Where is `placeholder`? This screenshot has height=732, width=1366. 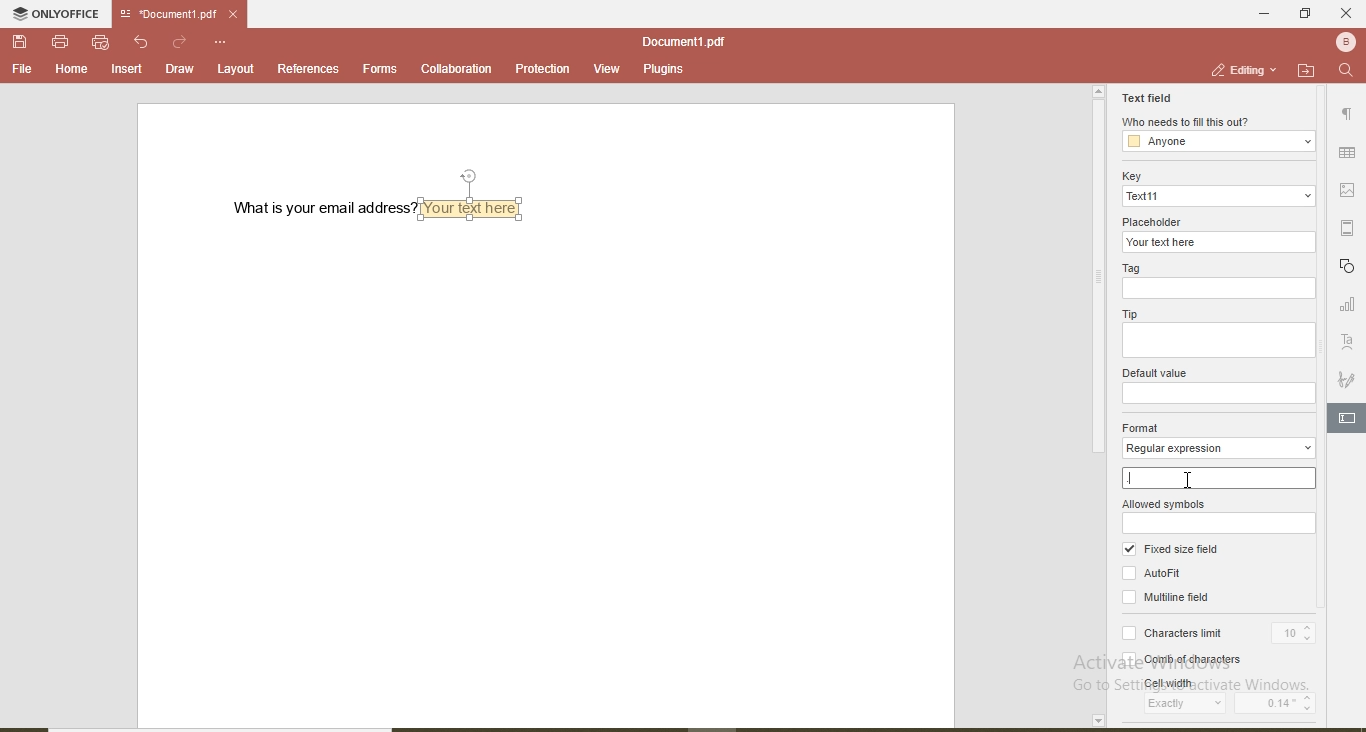
placeholder is located at coordinates (1156, 220).